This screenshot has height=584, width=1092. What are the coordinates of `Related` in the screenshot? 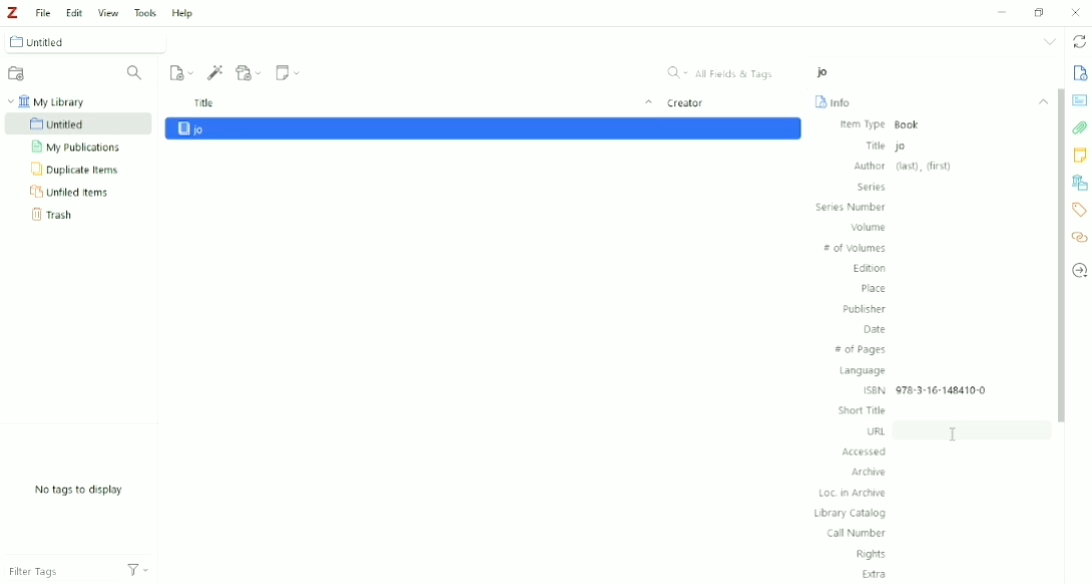 It's located at (1080, 239).